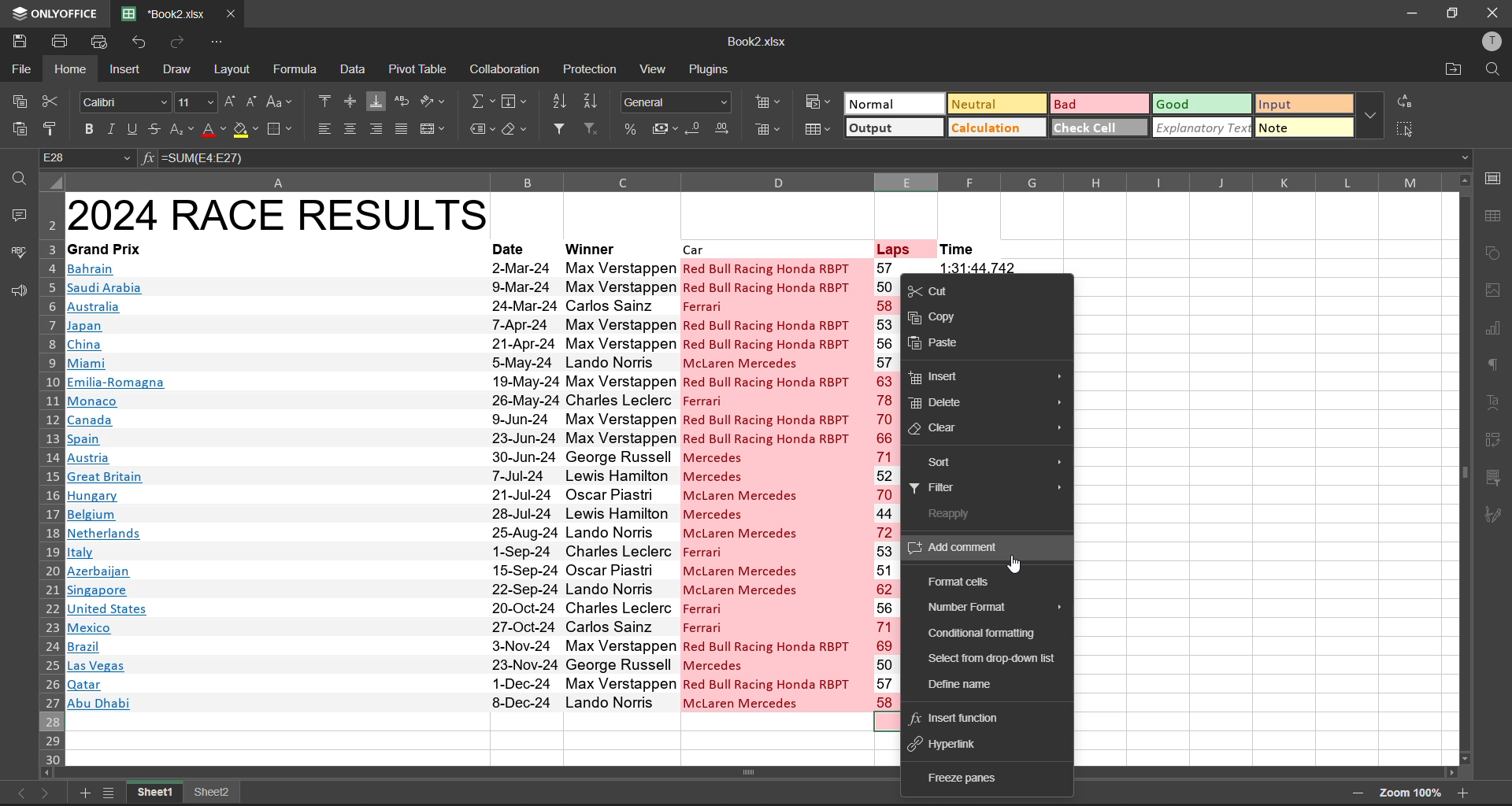  What do you see at coordinates (1492, 400) in the screenshot?
I see `text` at bounding box center [1492, 400].